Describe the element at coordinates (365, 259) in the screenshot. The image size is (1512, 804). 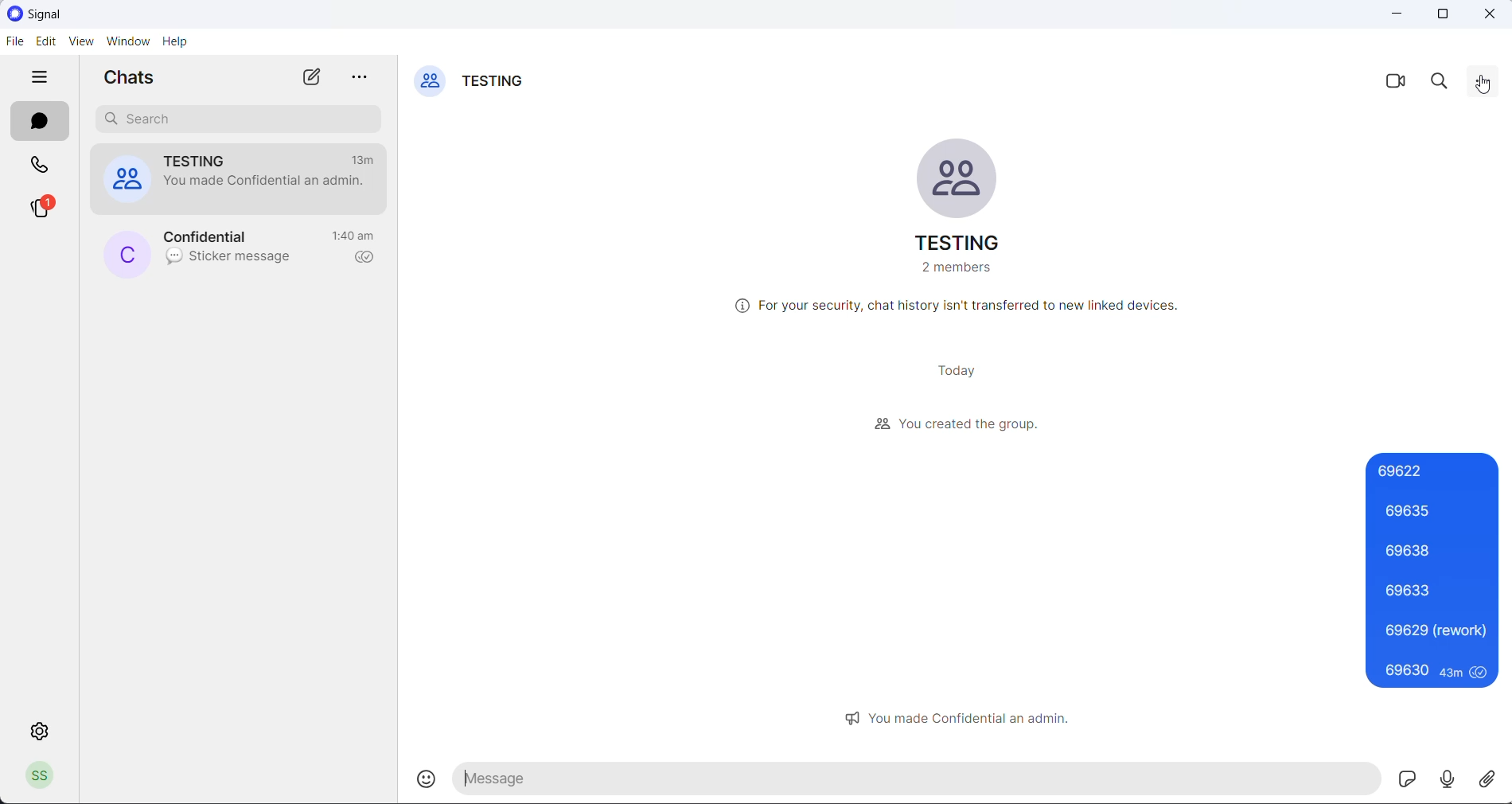
I see `read recipient ` at that location.